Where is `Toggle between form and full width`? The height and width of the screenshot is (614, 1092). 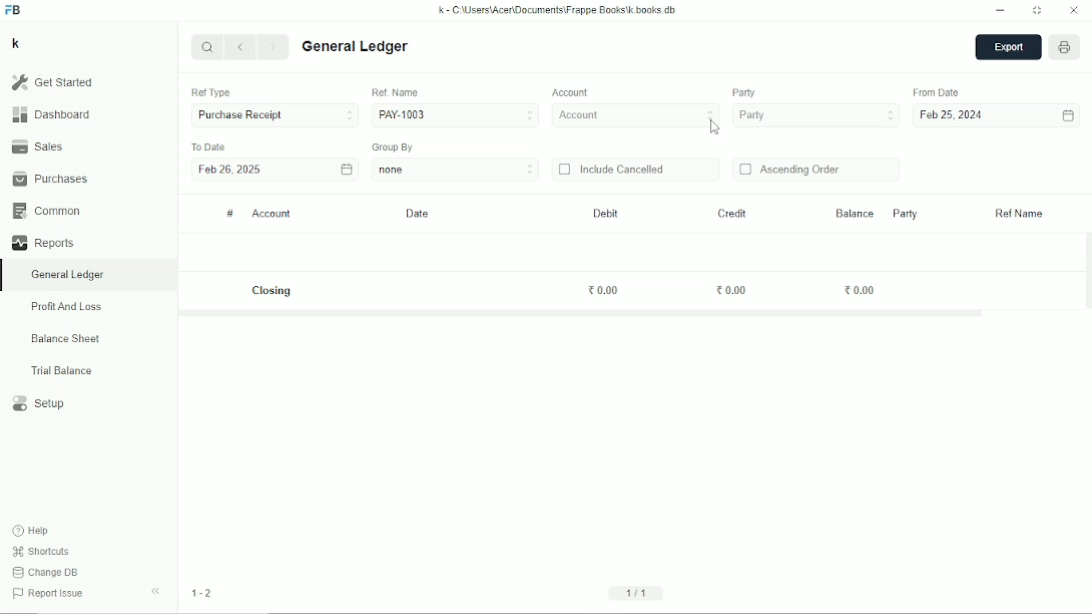
Toggle between form and full width is located at coordinates (1037, 11).